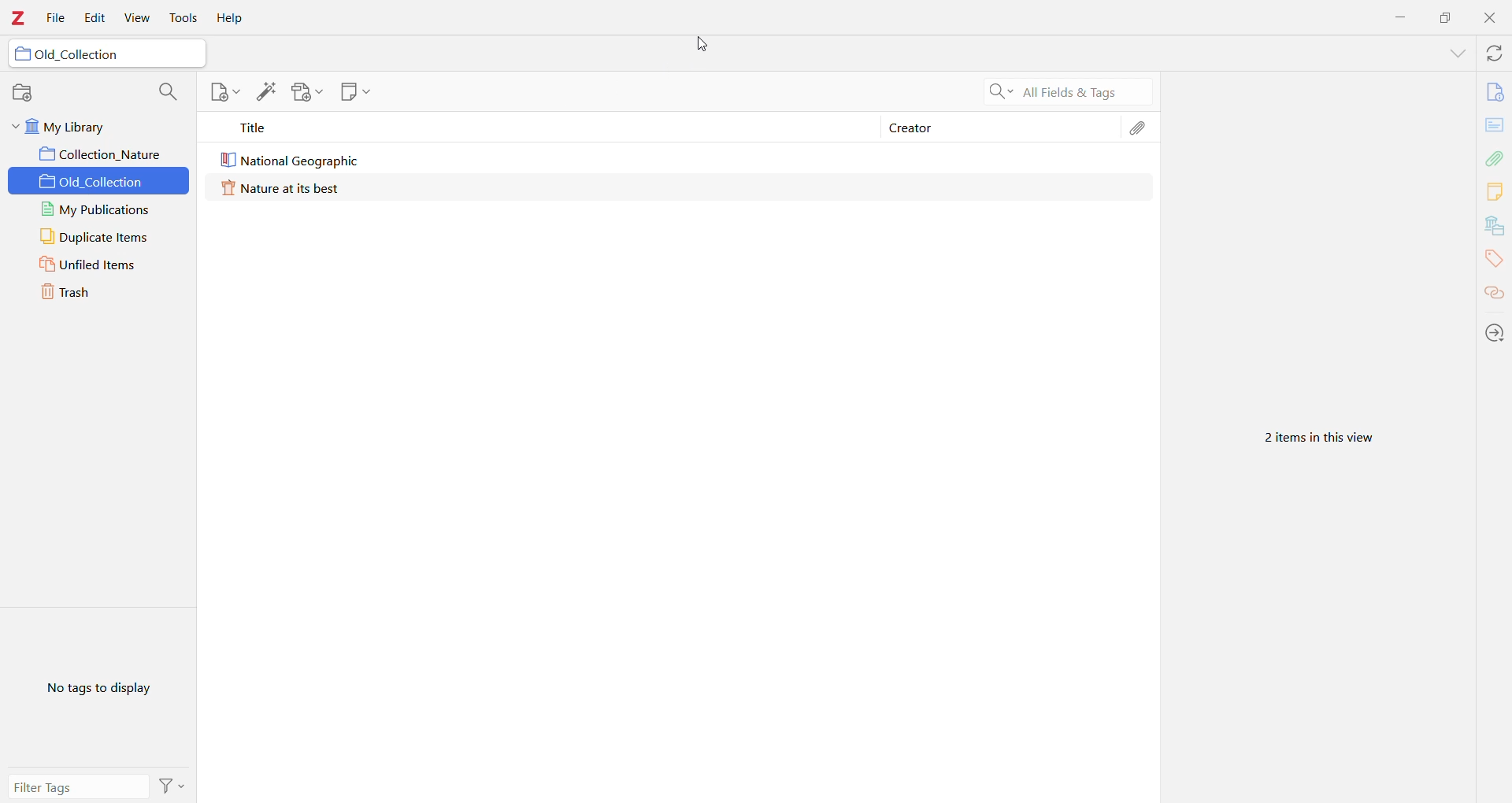 The height and width of the screenshot is (803, 1512). What do you see at coordinates (1496, 126) in the screenshot?
I see `Abstract` at bounding box center [1496, 126].